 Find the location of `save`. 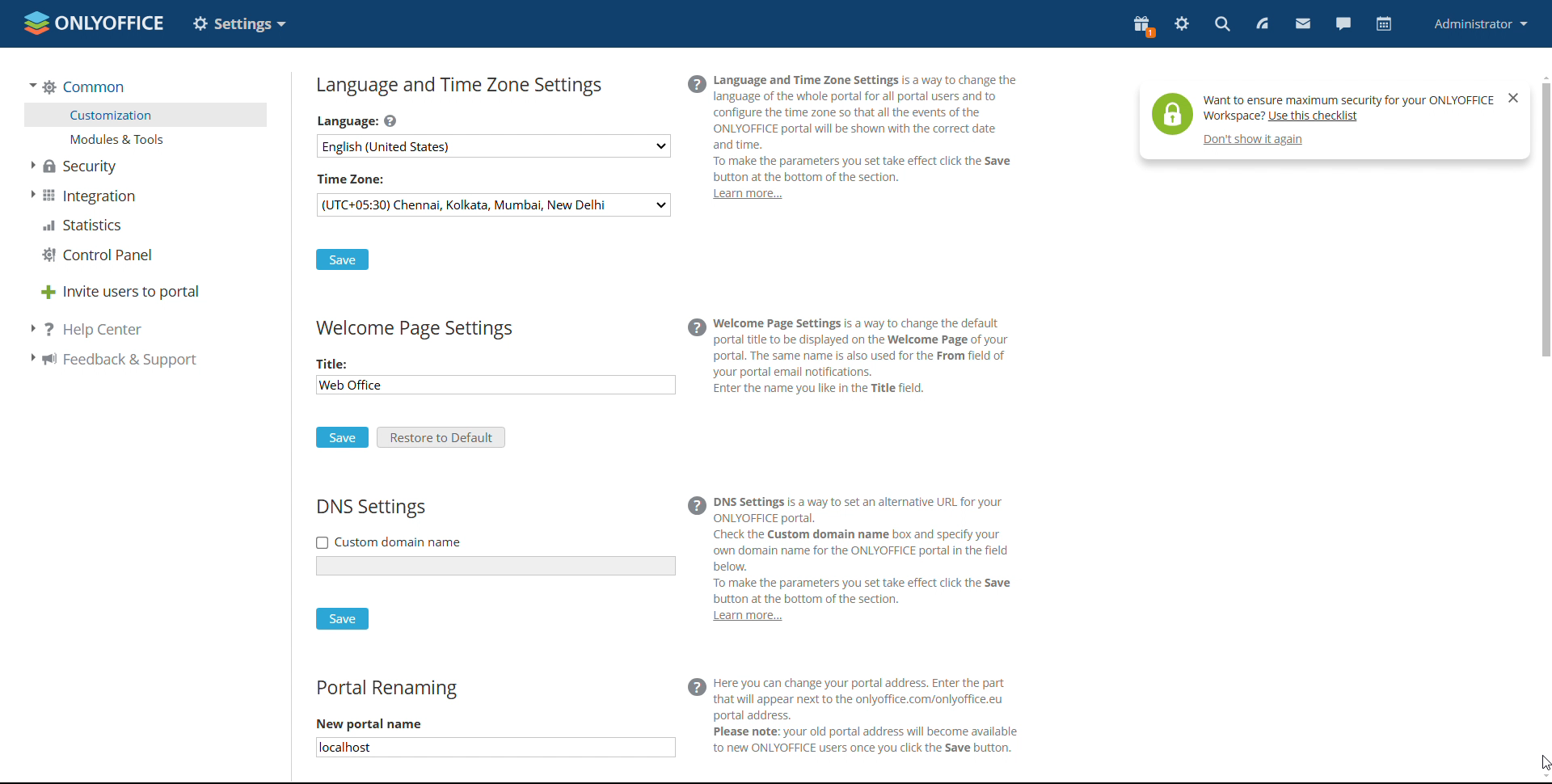

save is located at coordinates (342, 619).